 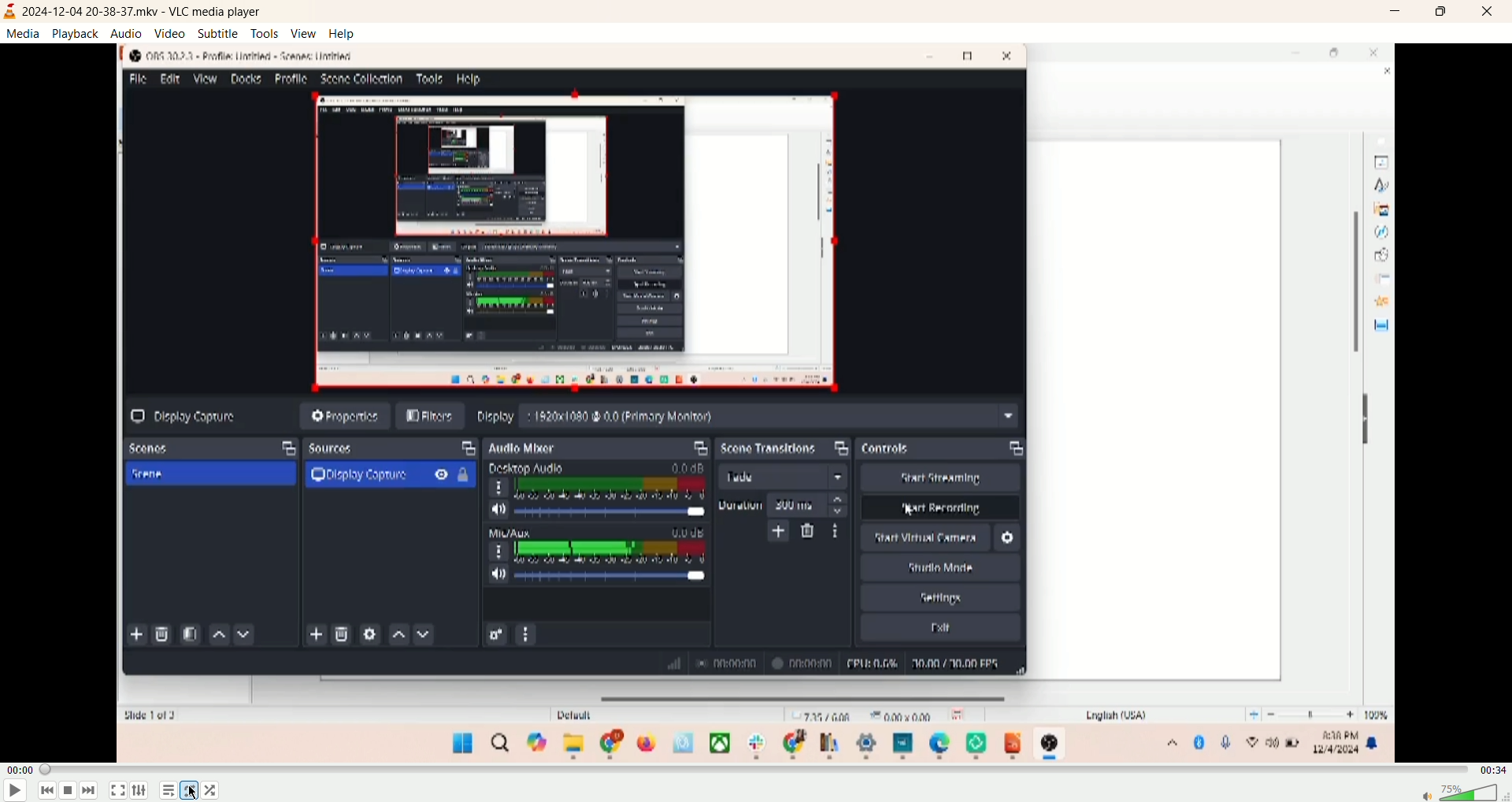 I want to click on next track, so click(x=90, y=790).